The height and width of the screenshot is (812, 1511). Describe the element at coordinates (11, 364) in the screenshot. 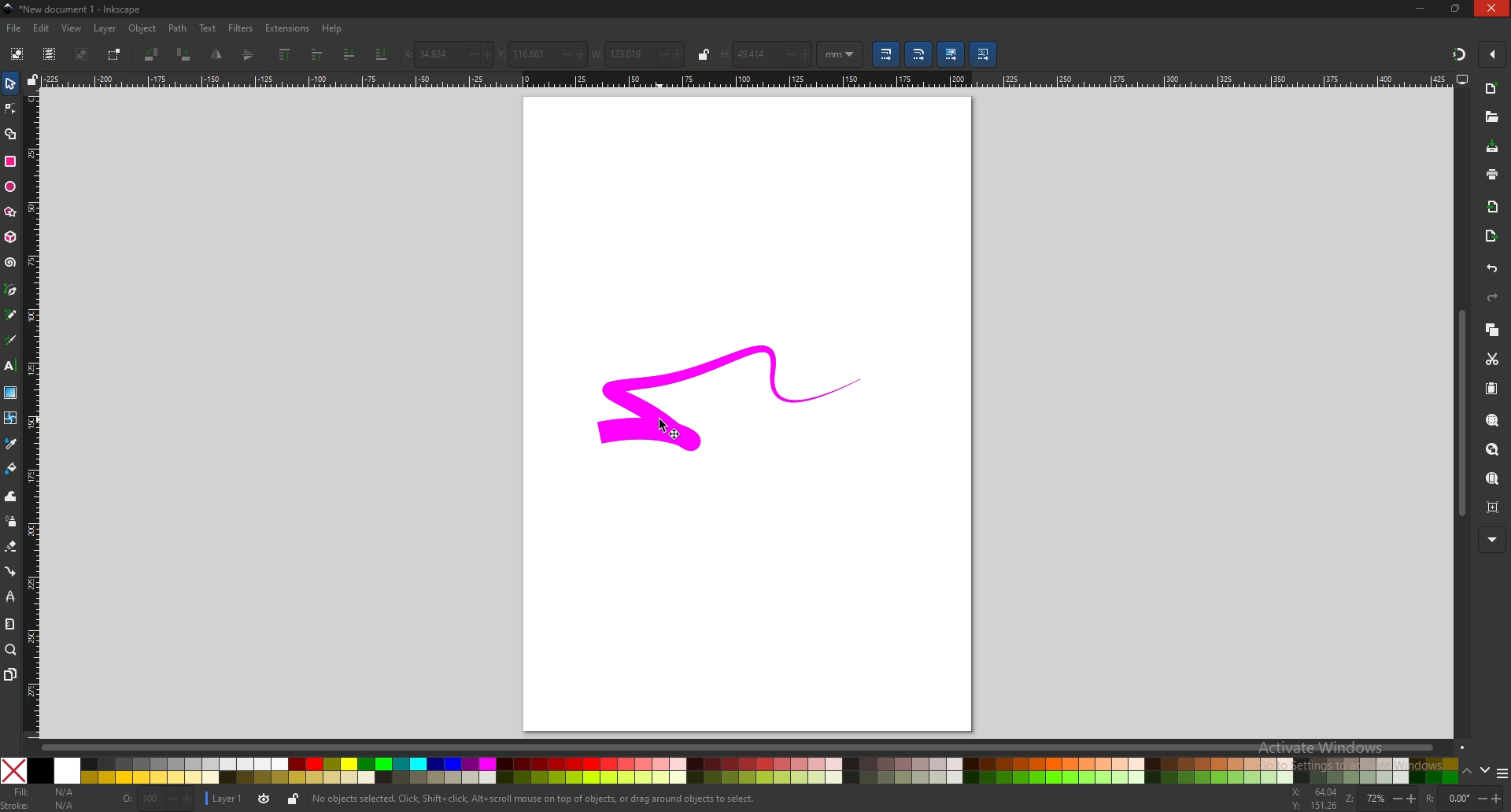

I see `text` at that location.